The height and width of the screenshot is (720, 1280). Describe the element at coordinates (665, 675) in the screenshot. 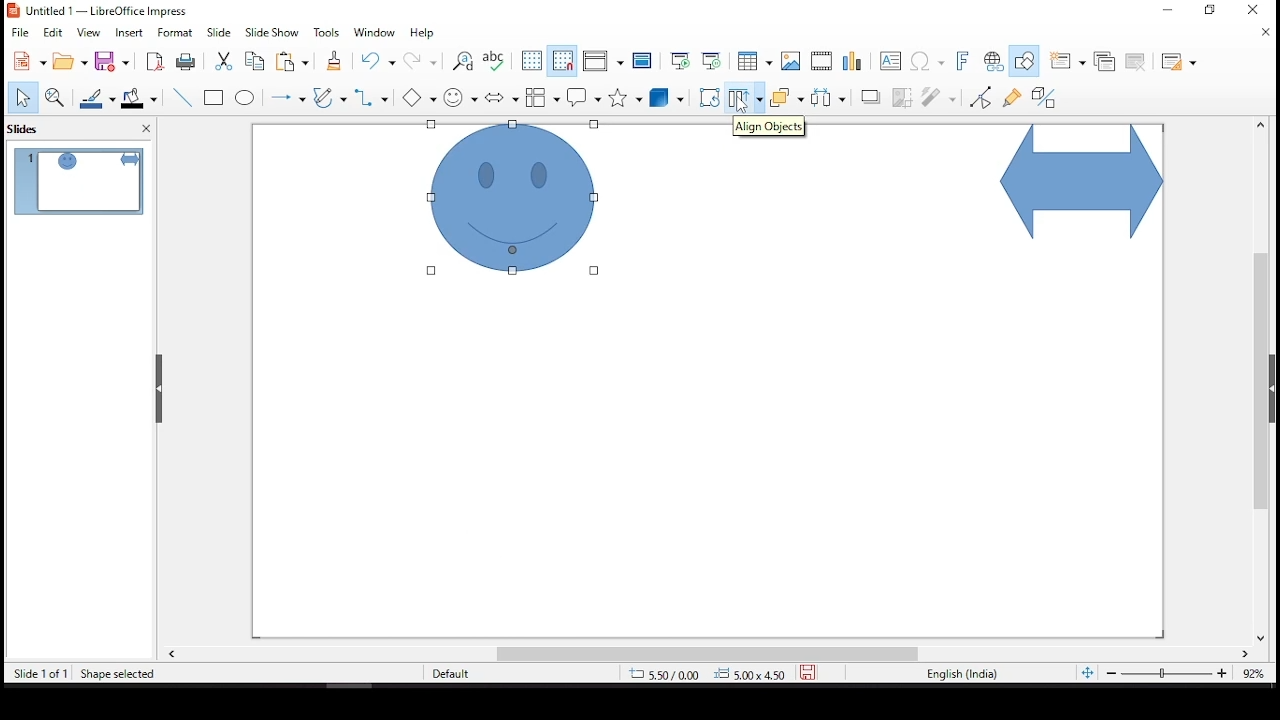

I see `25.57/6.10` at that location.